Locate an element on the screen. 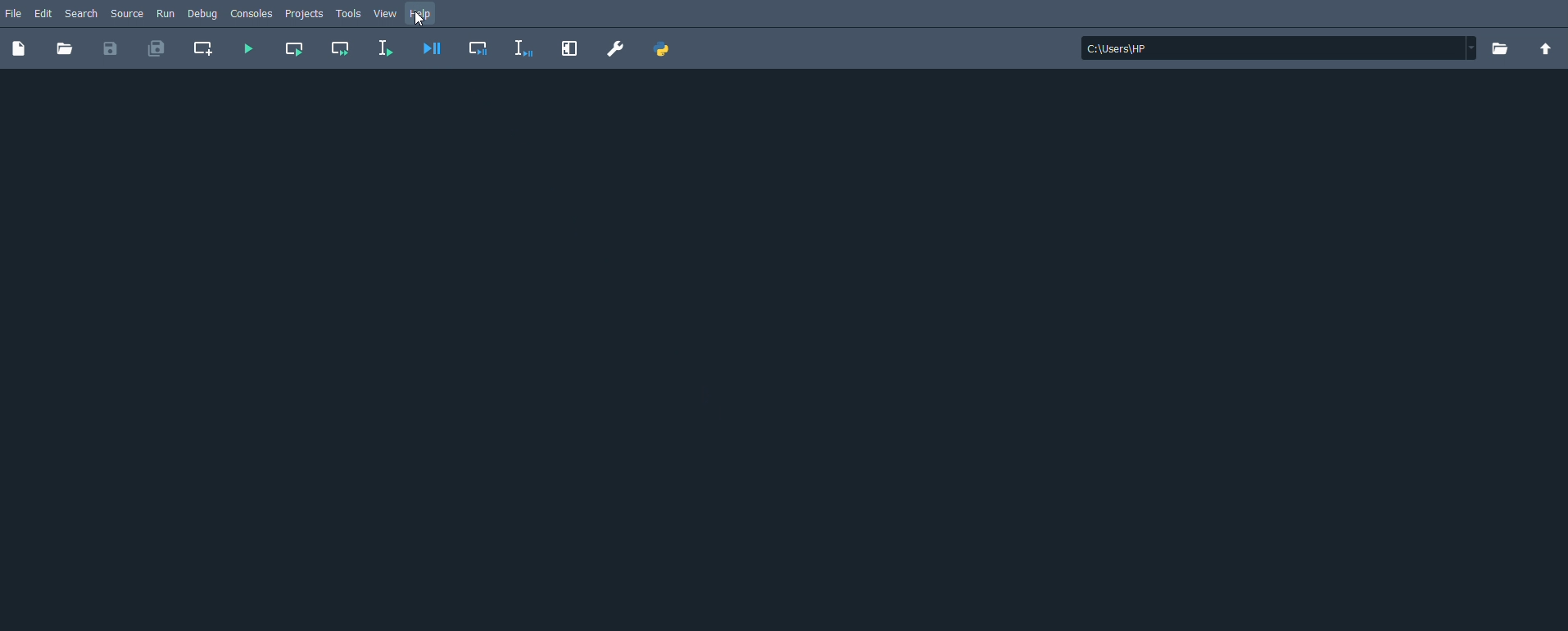  Source is located at coordinates (129, 14).